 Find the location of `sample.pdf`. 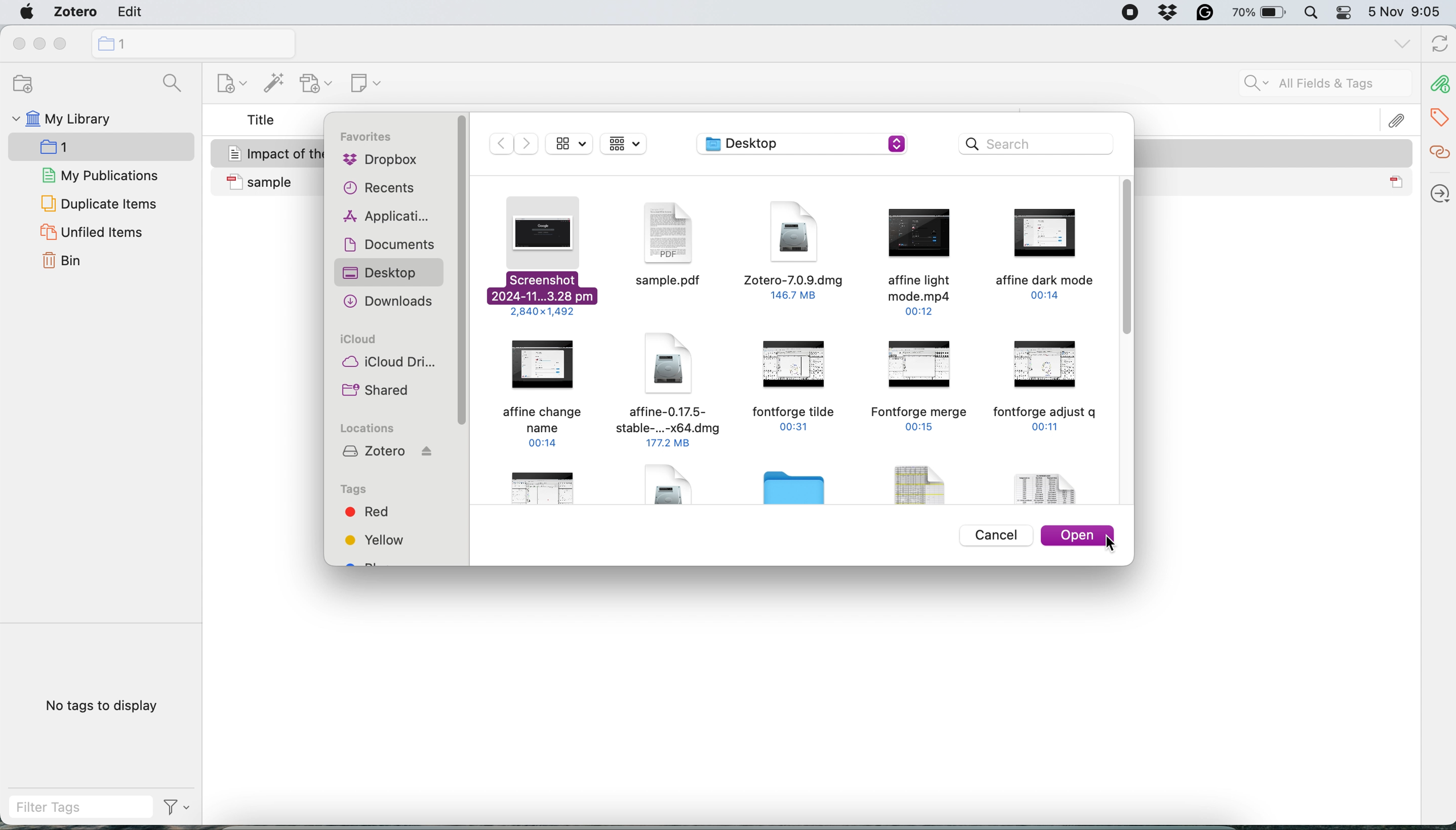

sample.pdf is located at coordinates (671, 246).